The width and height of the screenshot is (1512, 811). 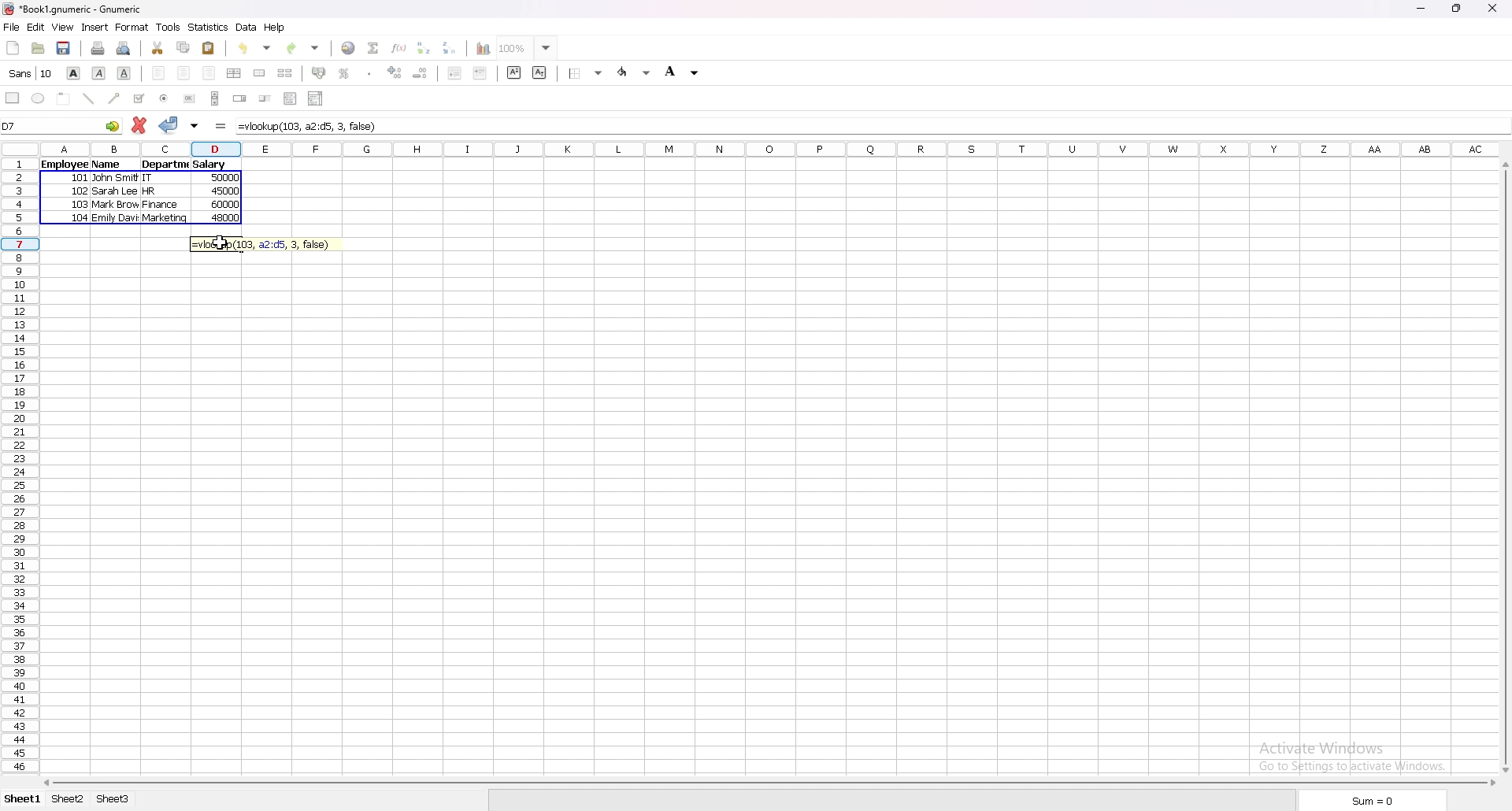 What do you see at coordinates (69, 801) in the screenshot?
I see `sheet 2` at bounding box center [69, 801].